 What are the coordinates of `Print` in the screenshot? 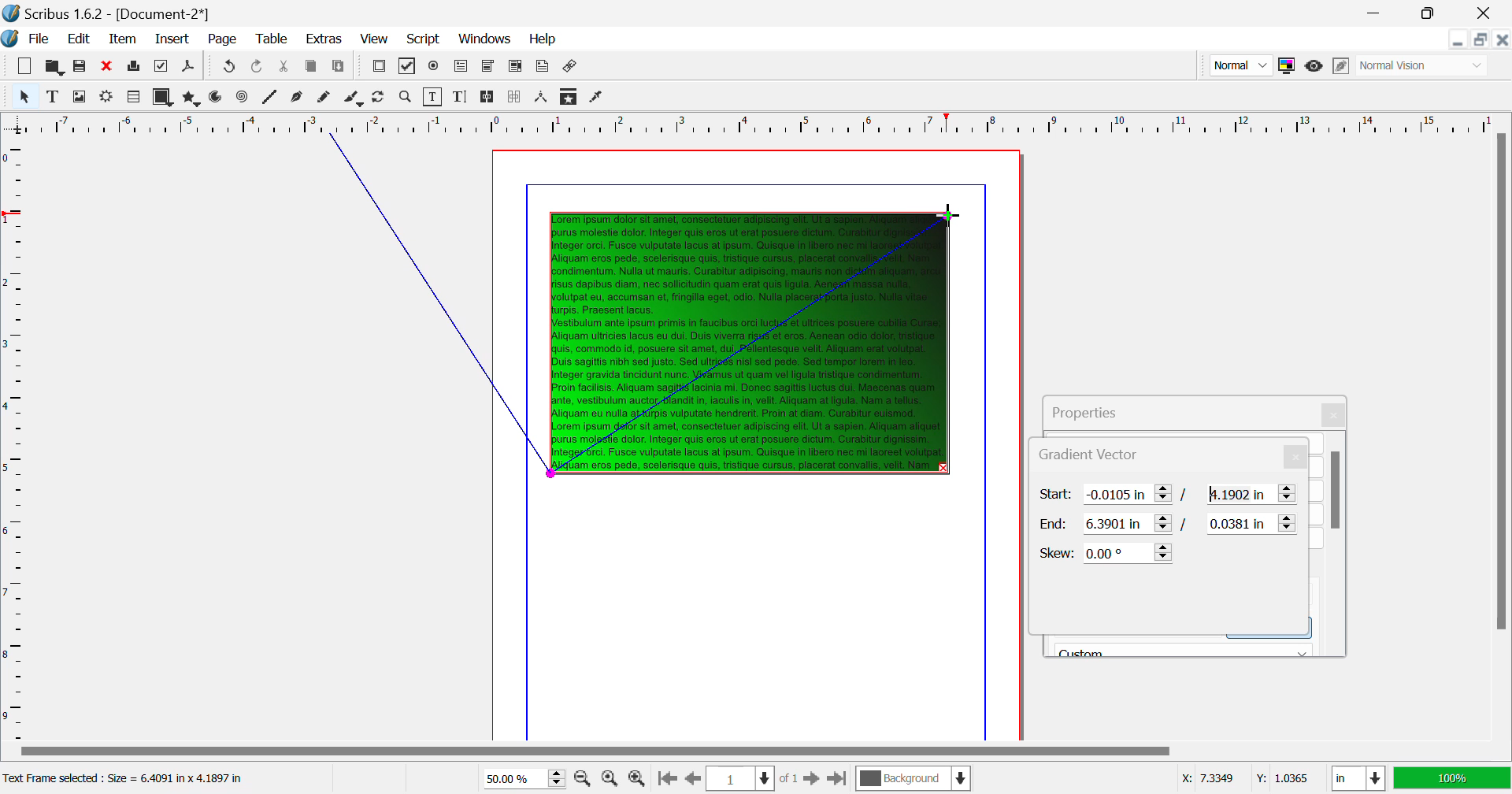 It's located at (135, 66).